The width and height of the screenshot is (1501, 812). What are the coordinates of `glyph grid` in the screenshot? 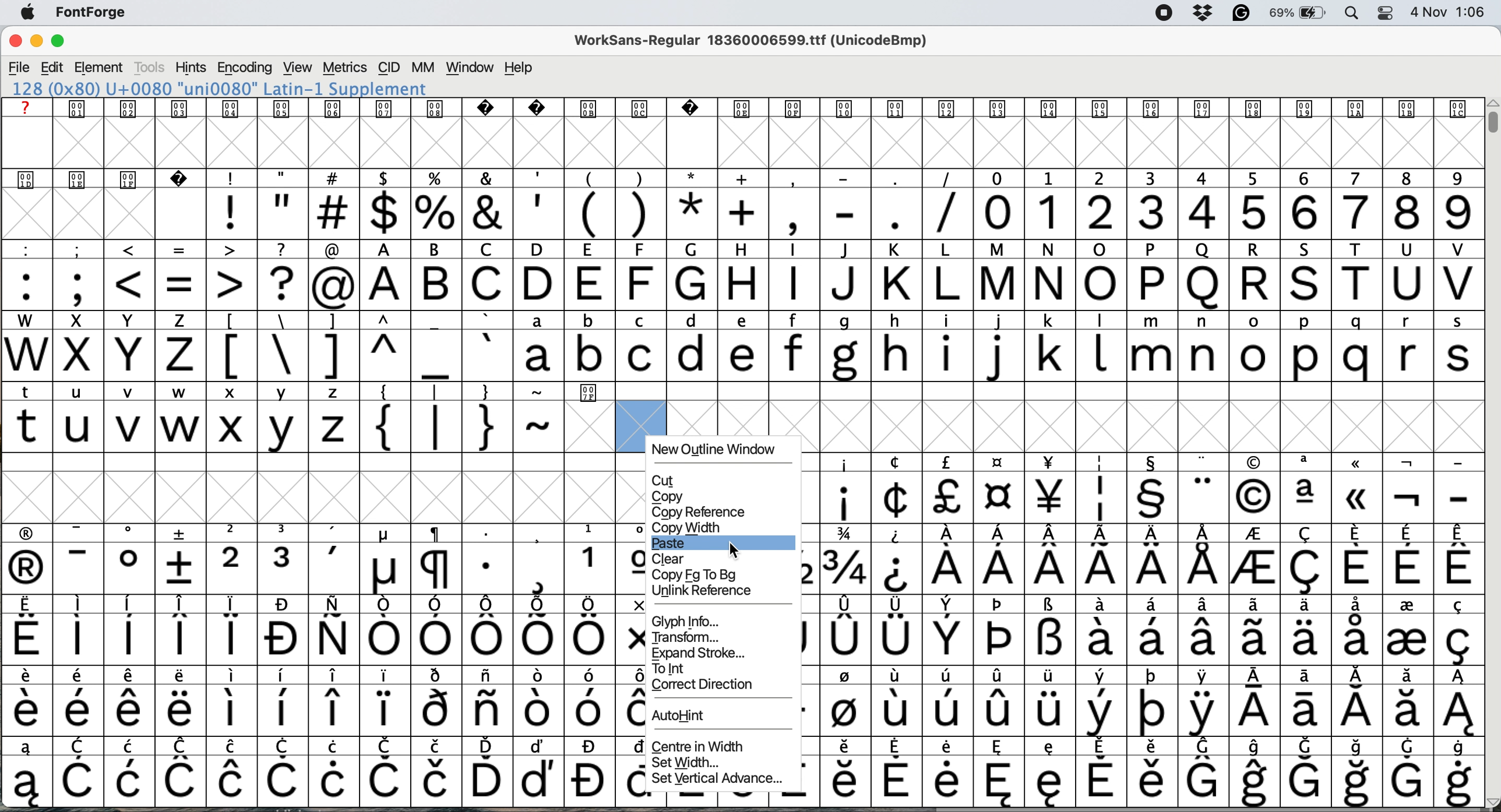 It's located at (1138, 427).